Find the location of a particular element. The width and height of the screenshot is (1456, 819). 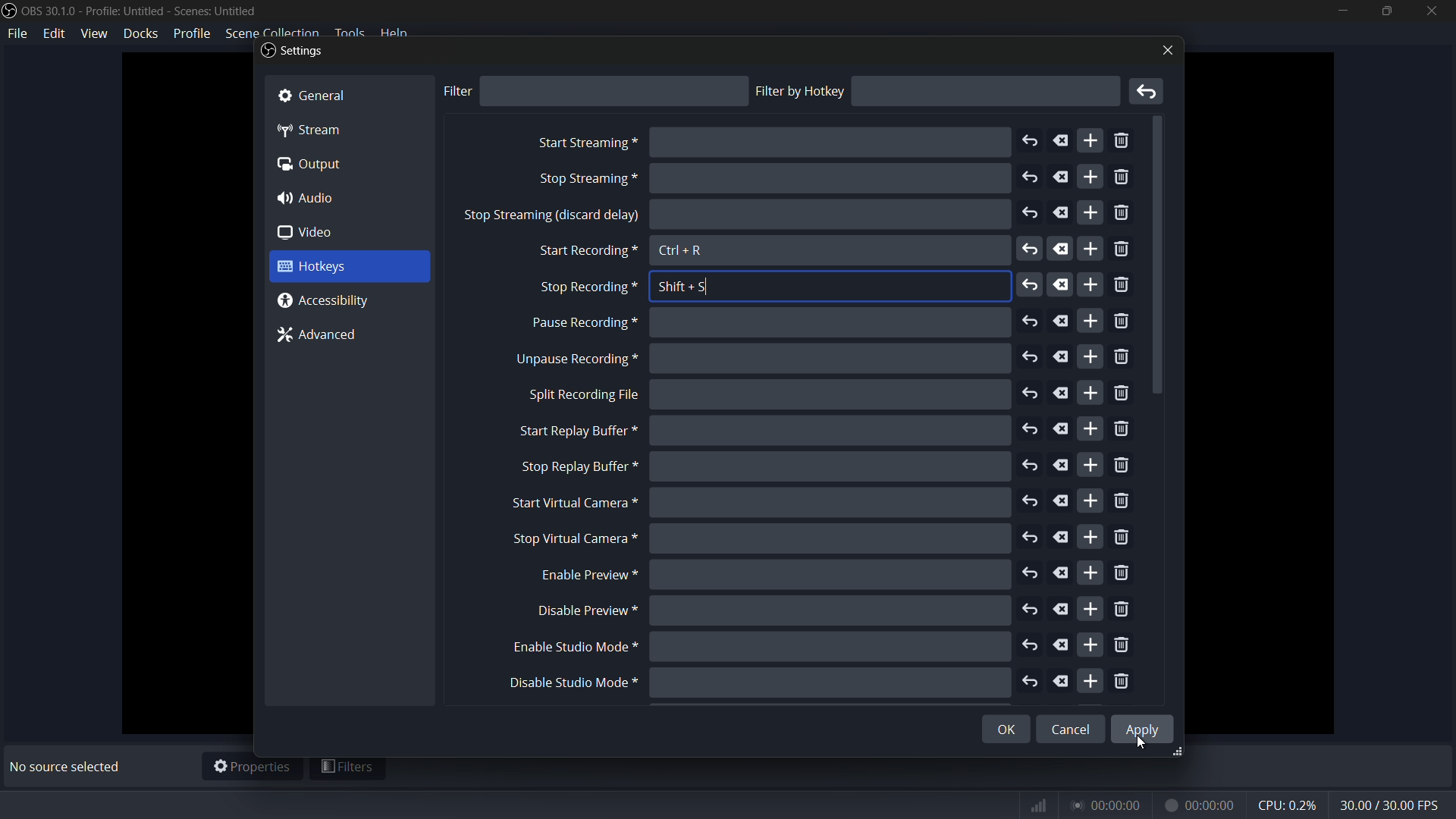

delete is located at coordinates (1062, 645).